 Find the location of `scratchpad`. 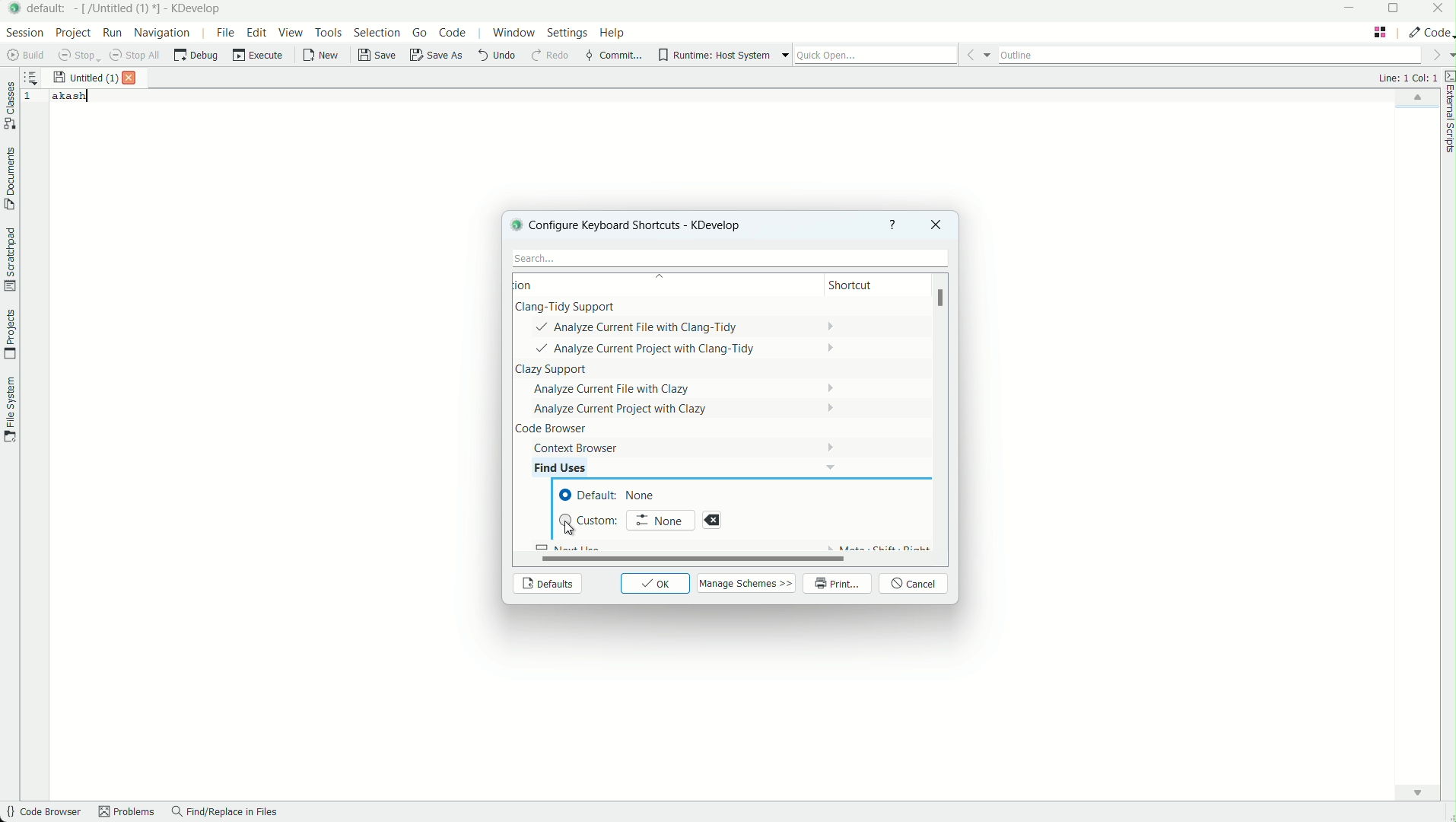

scratchpad is located at coordinates (9, 259).